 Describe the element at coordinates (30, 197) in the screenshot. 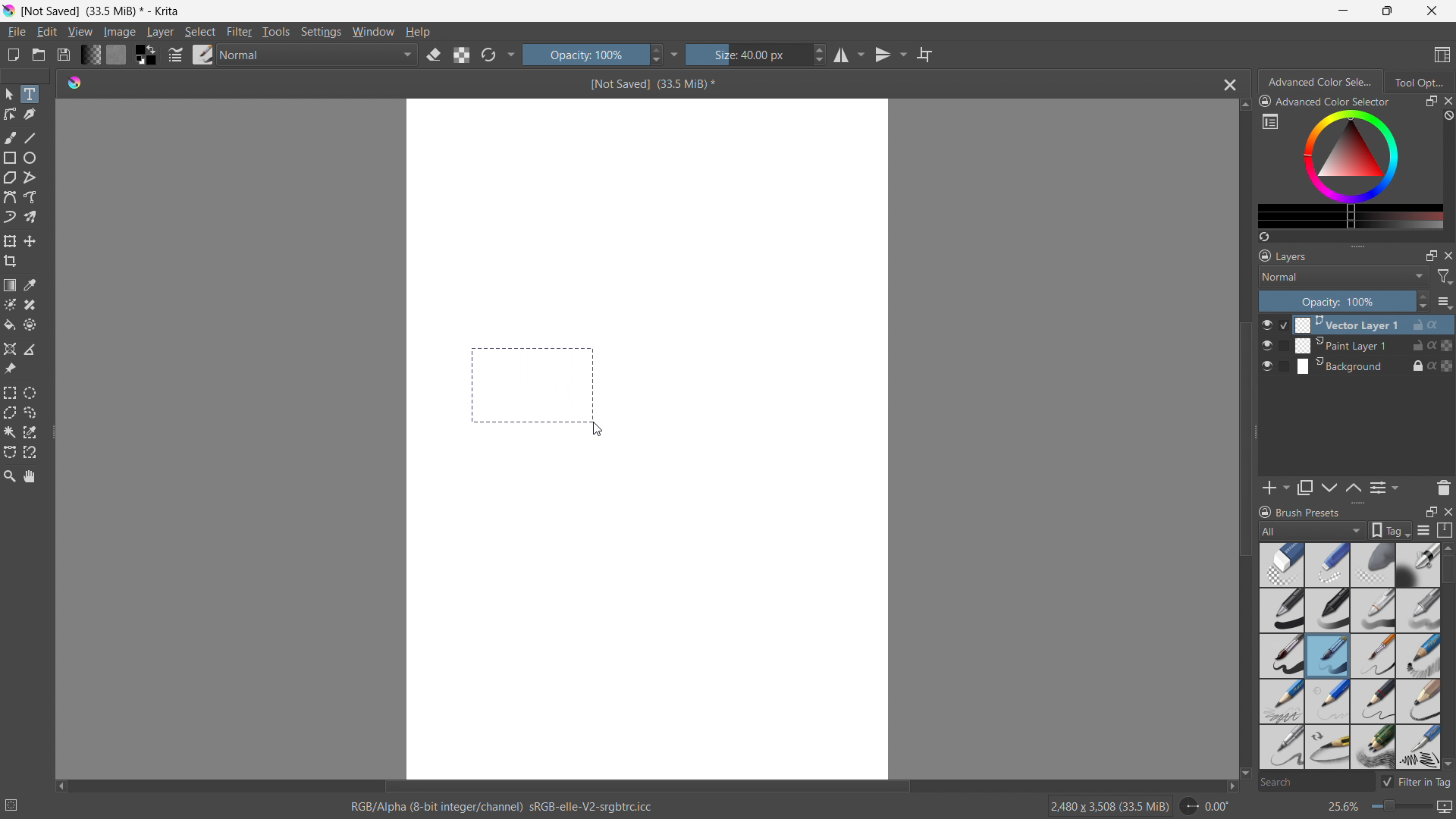

I see `freehand path tool` at that location.